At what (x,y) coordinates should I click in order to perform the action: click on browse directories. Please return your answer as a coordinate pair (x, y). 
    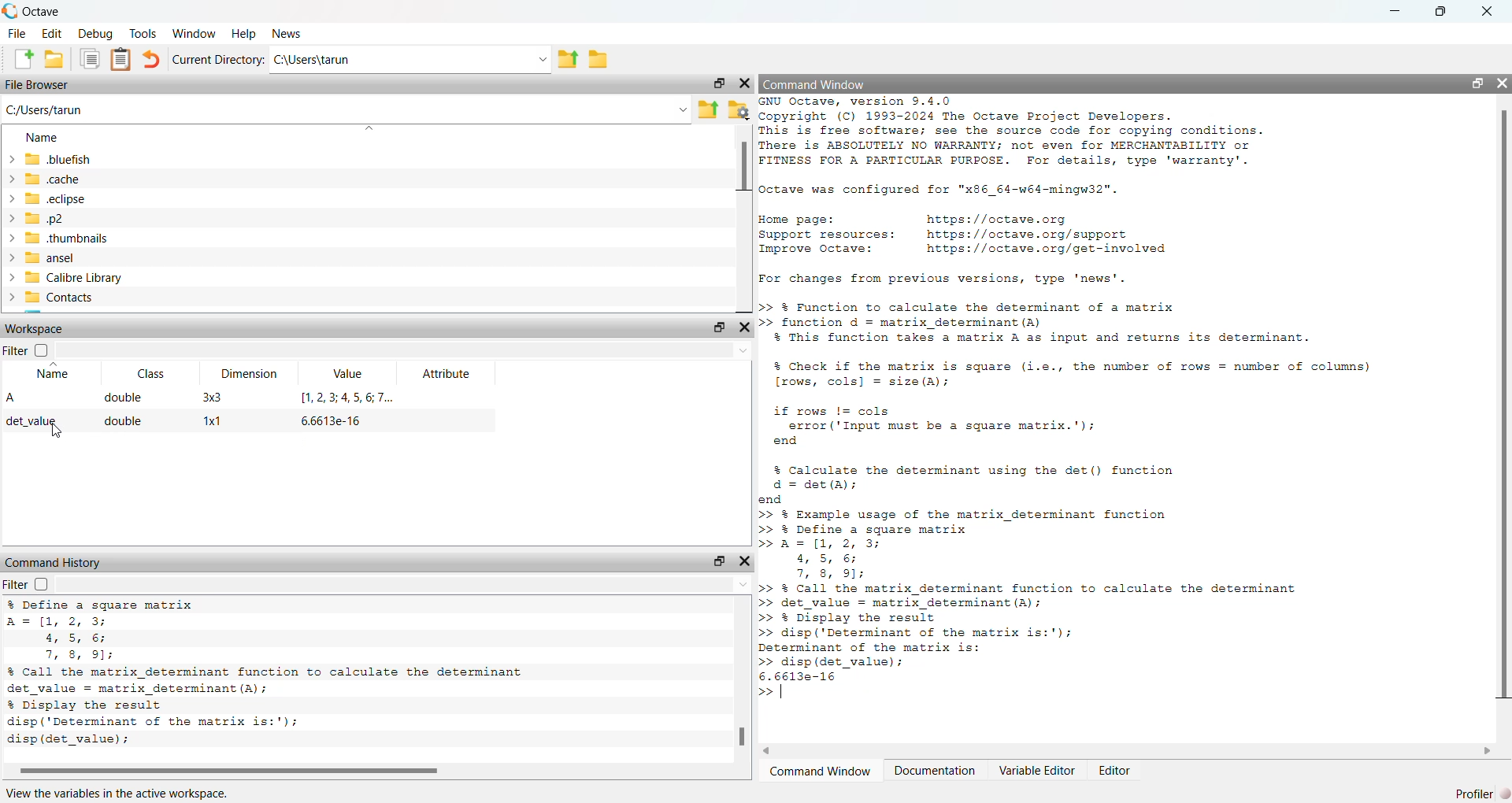
    Looking at the image, I should click on (601, 60).